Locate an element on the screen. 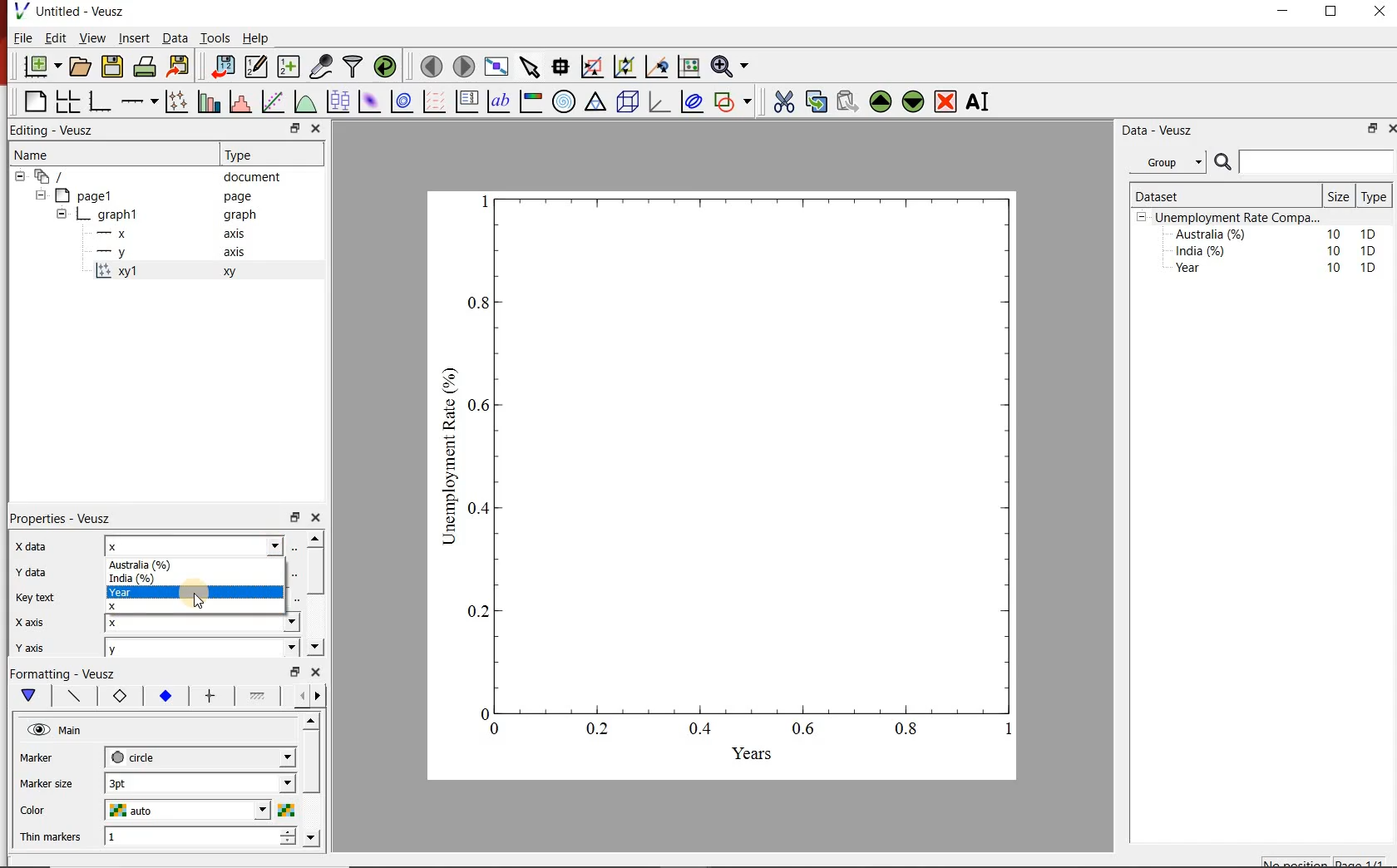 The image size is (1397, 868). Size is located at coordinates (1340, 196).